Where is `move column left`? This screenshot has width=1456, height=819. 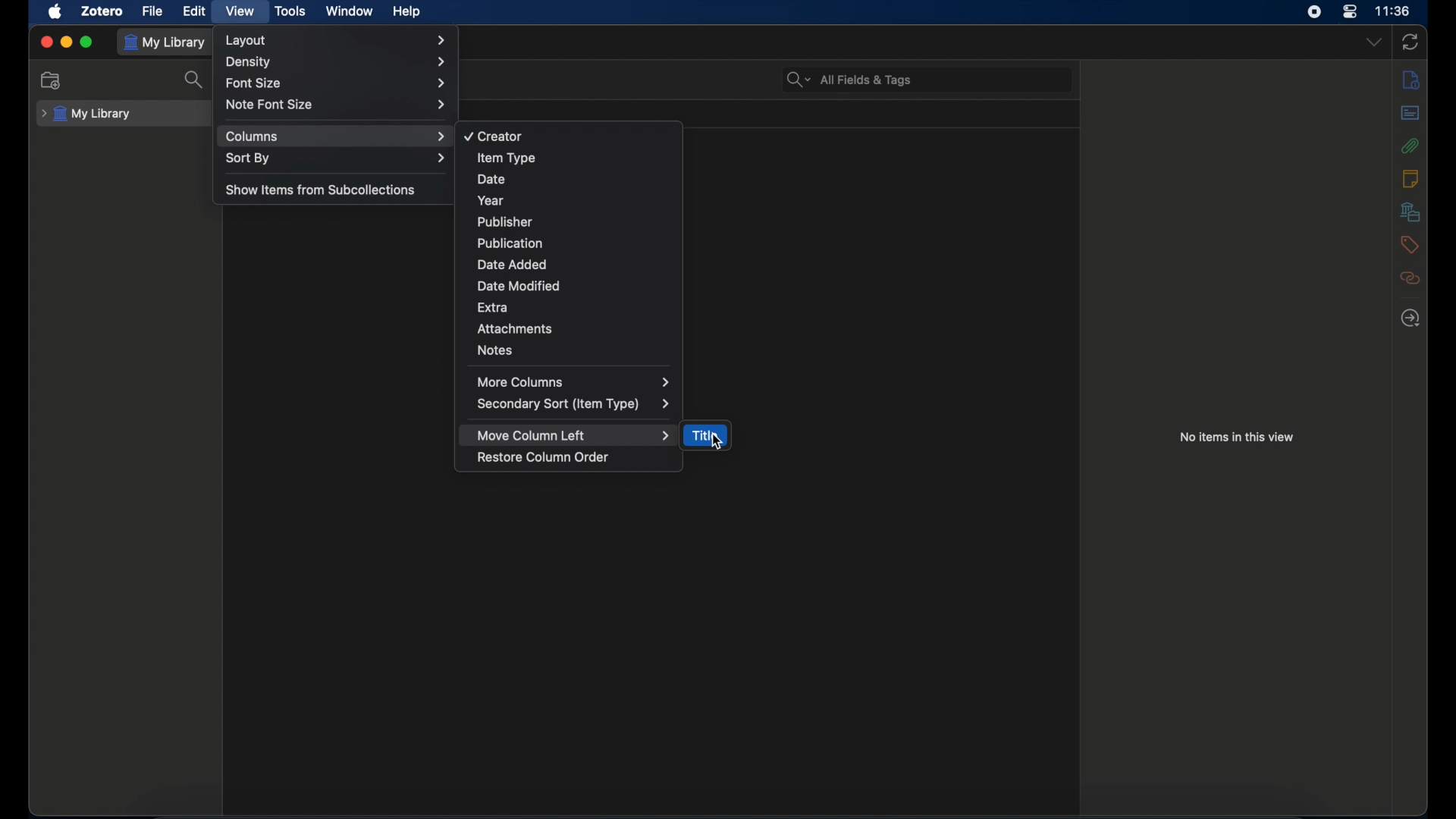
move column left is located at coordinates (575, 435).